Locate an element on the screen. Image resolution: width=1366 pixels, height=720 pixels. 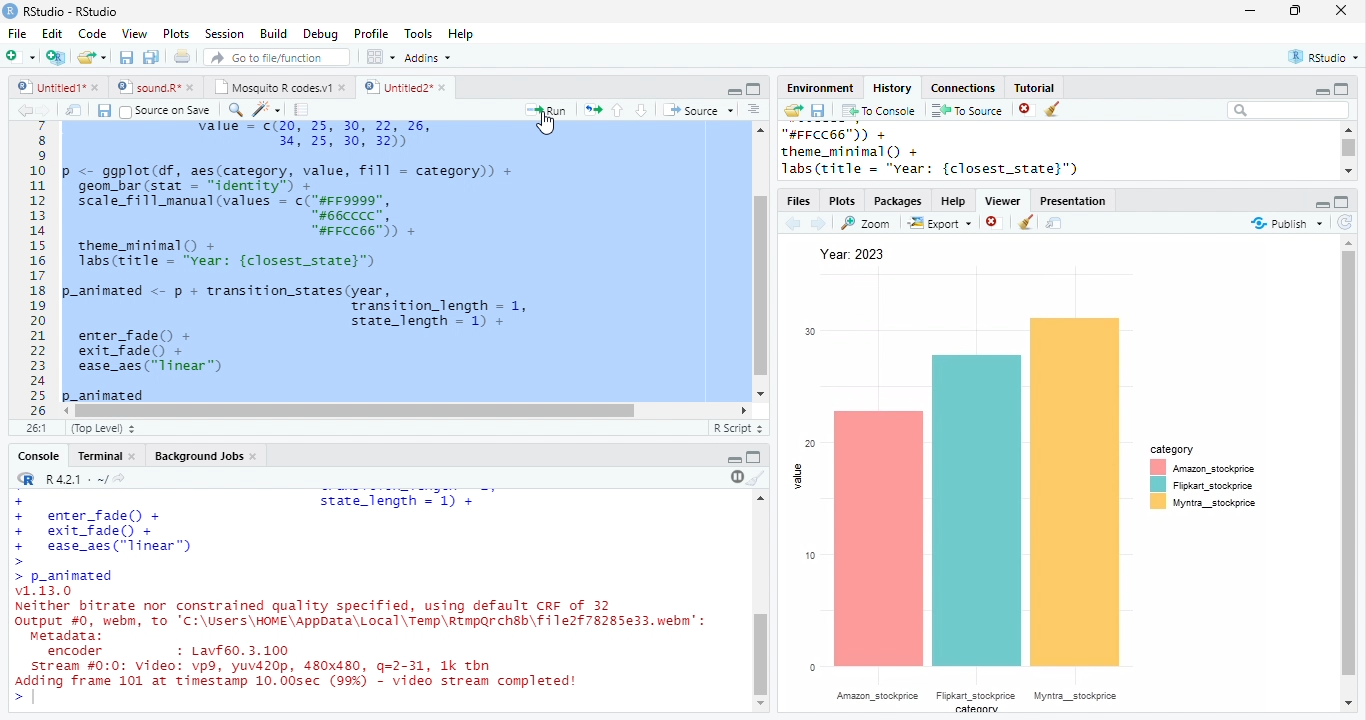
Run is located at coordinates (548, 110).